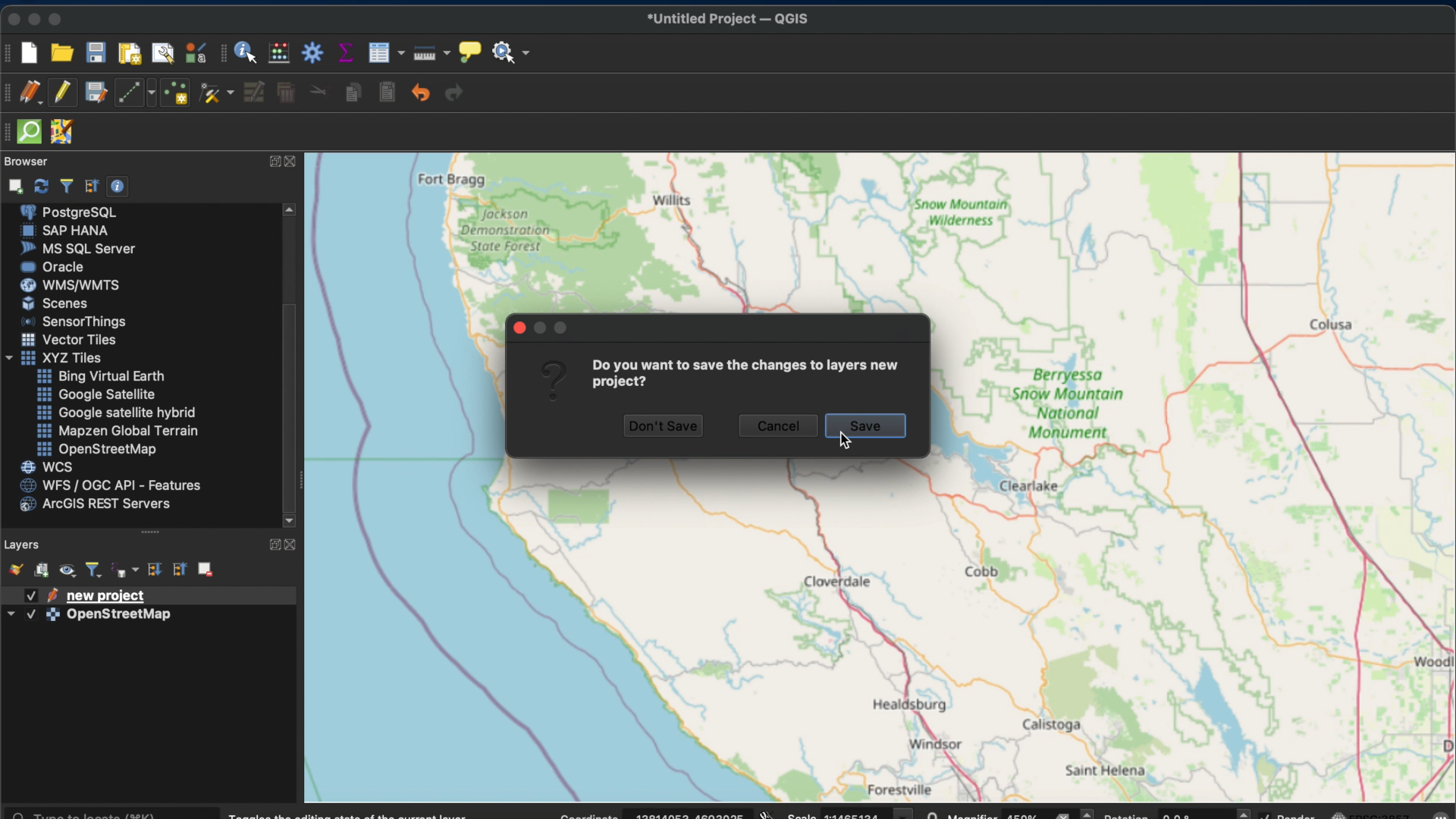  What do you see at coordinates (868, 426) in the screenshot?
I see `save` at bounding box center [868, 426].